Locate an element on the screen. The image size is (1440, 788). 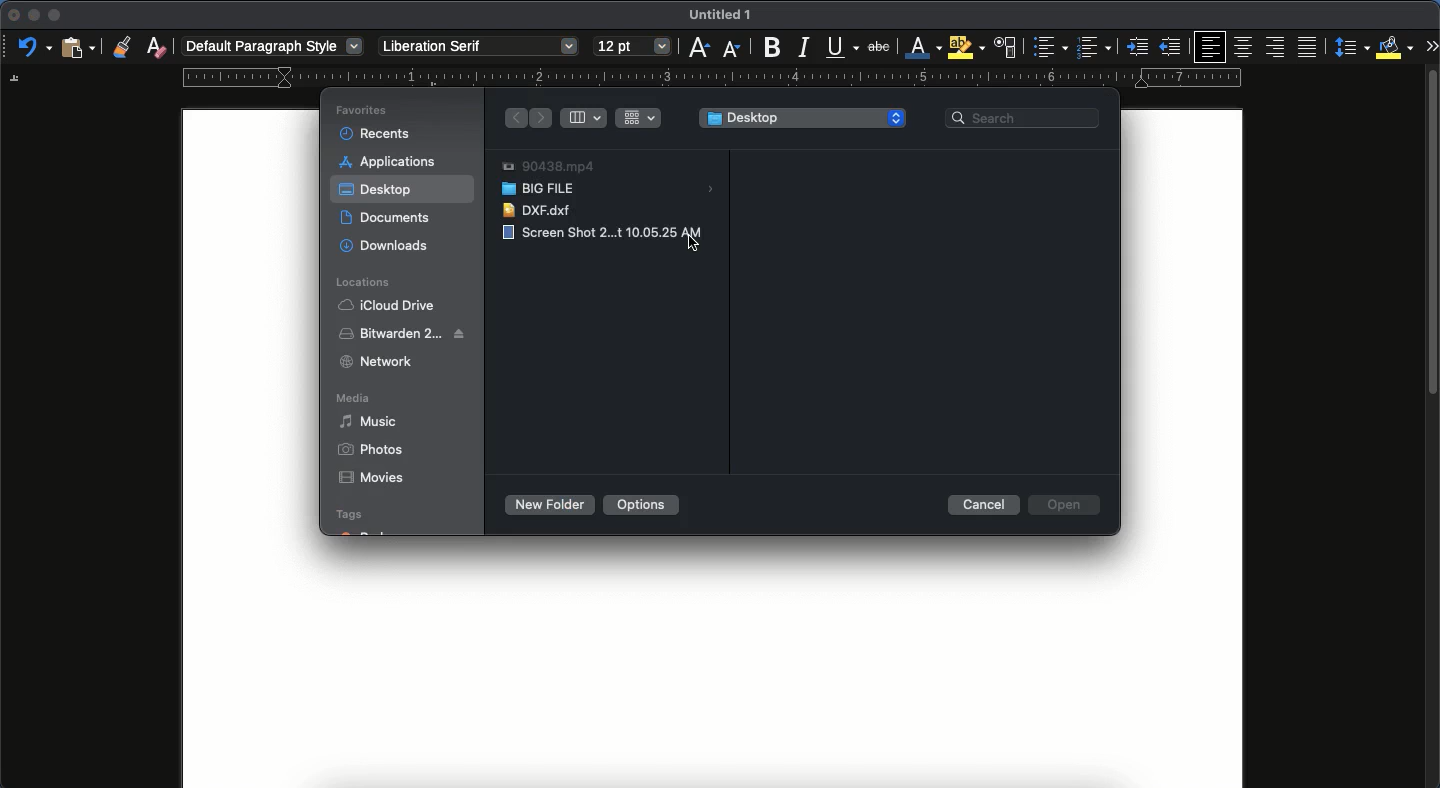
video is located at coordinates (548, 167).